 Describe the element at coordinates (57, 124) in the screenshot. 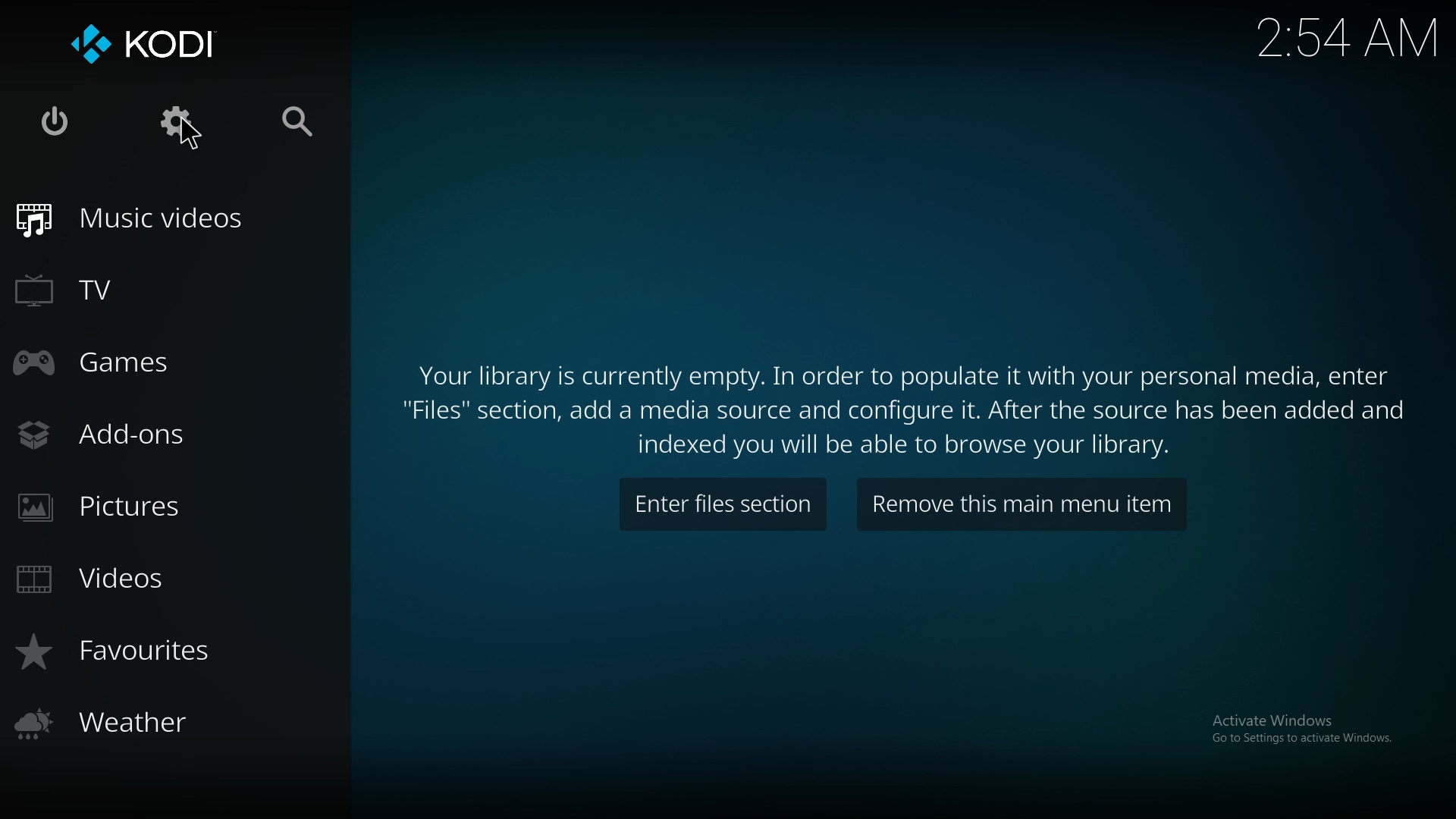

I see `close` at that location.